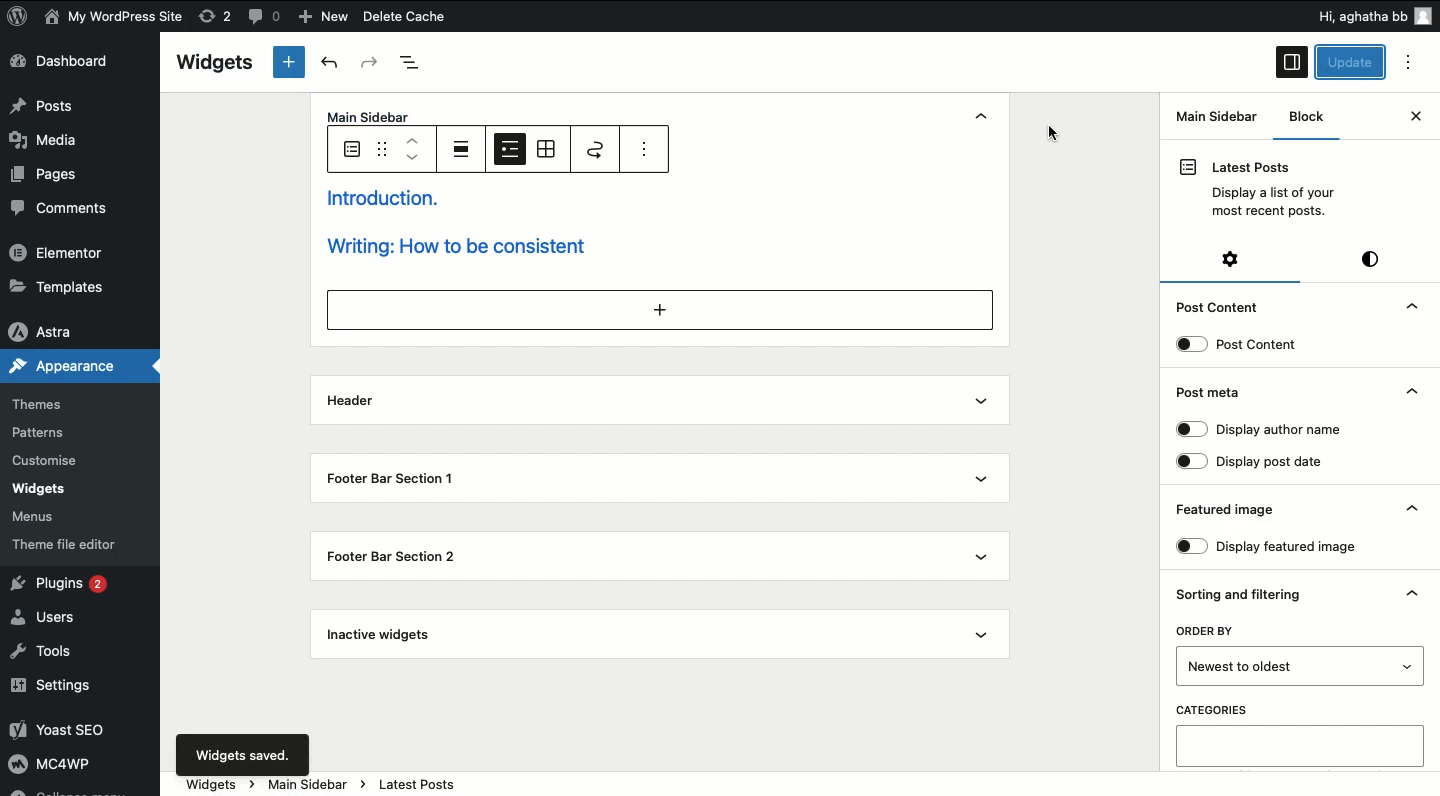 The width and height of the screenshot is (1440, 796). What do you see at coordinates (61, 208) in the screenshot?
I see `Comments.` at bounding box center [61, 208].